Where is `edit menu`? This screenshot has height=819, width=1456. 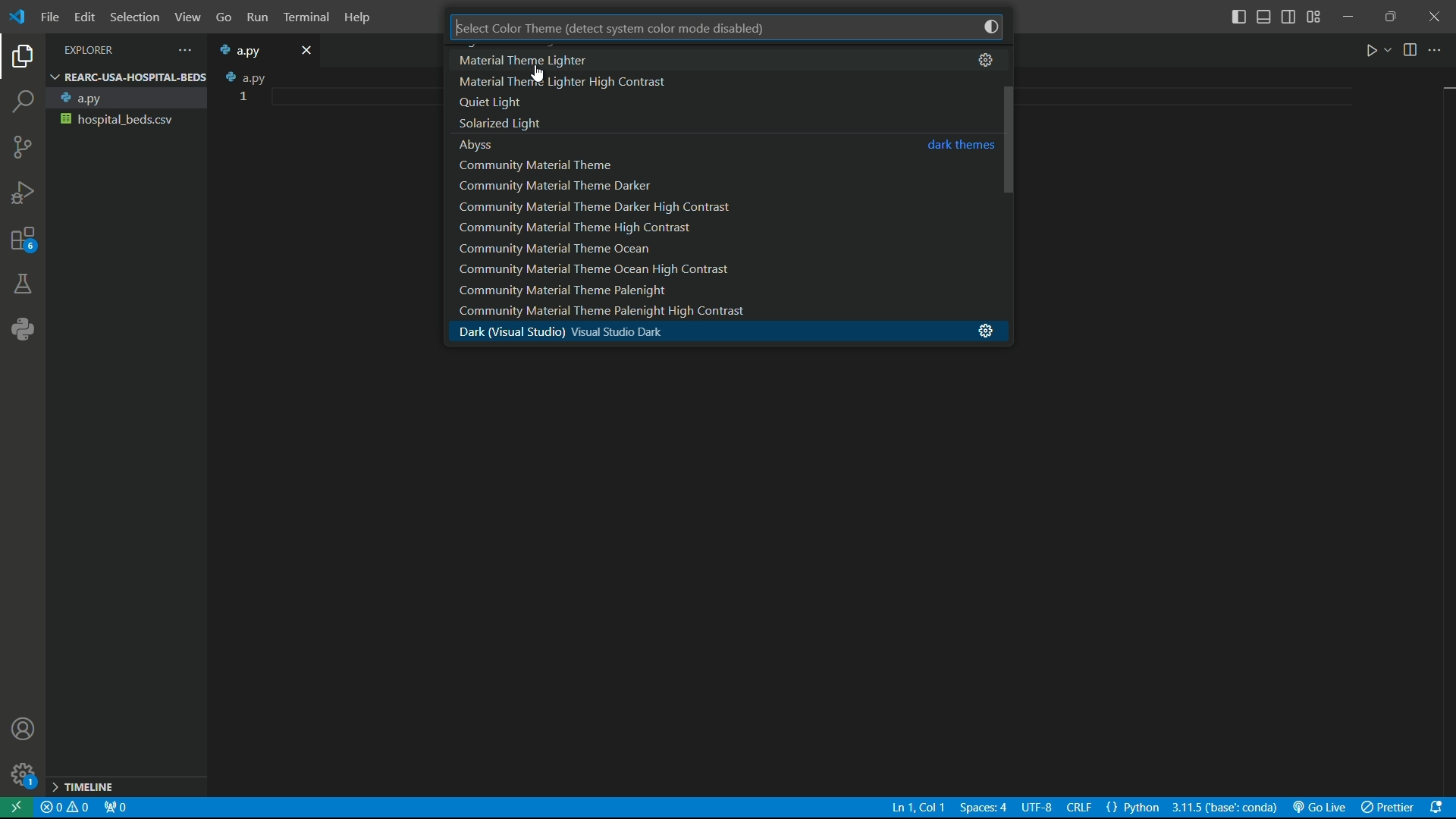
edit menu is located at coordinates (84, 17).